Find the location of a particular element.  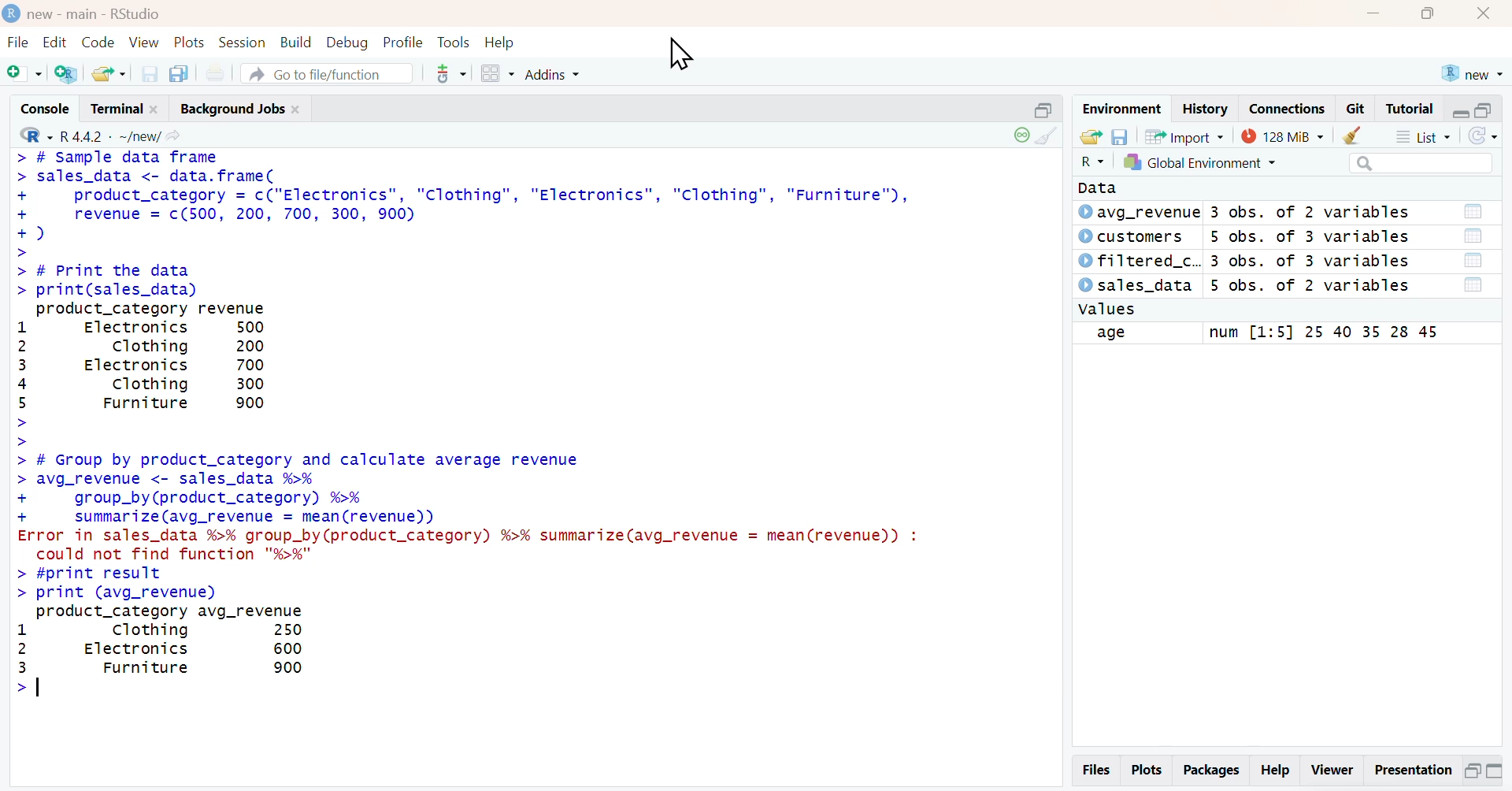

Import Dataset is located at coordinates (1186, 137).